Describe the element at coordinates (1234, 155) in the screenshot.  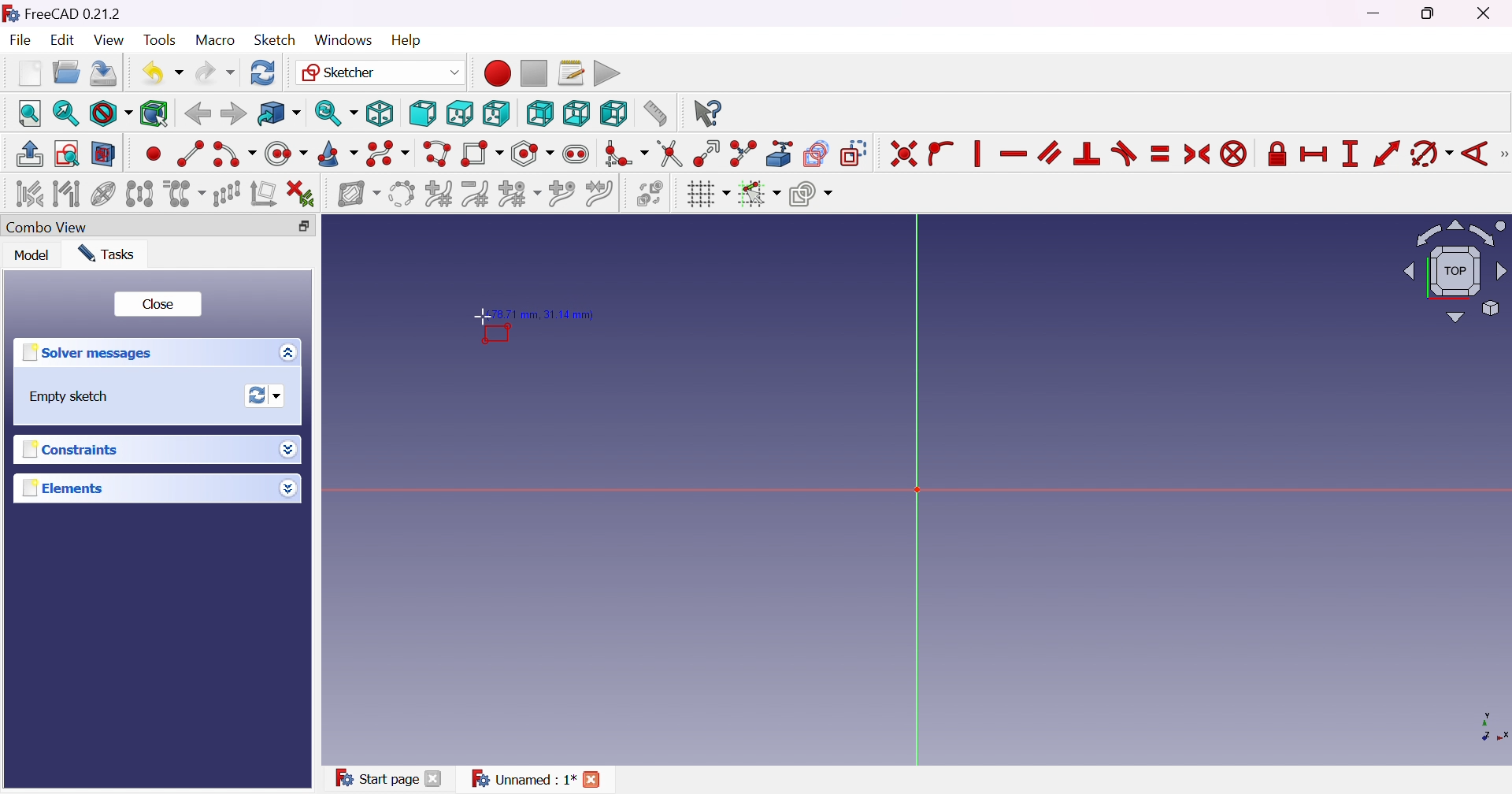
I see `Constrain block` at that location.